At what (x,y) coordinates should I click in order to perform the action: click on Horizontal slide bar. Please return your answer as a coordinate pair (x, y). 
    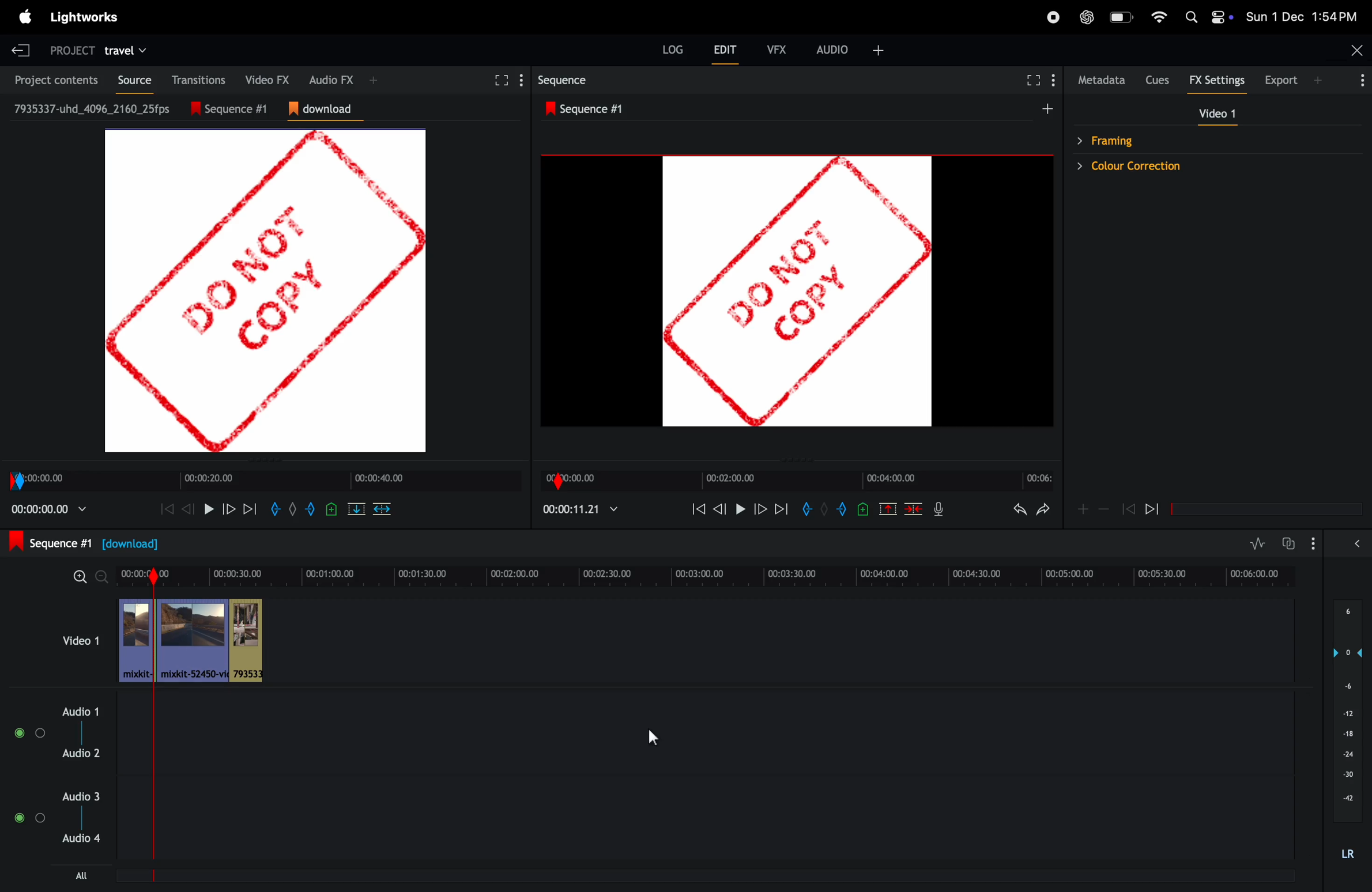
    Looking at the image, I should click on (702, 876).